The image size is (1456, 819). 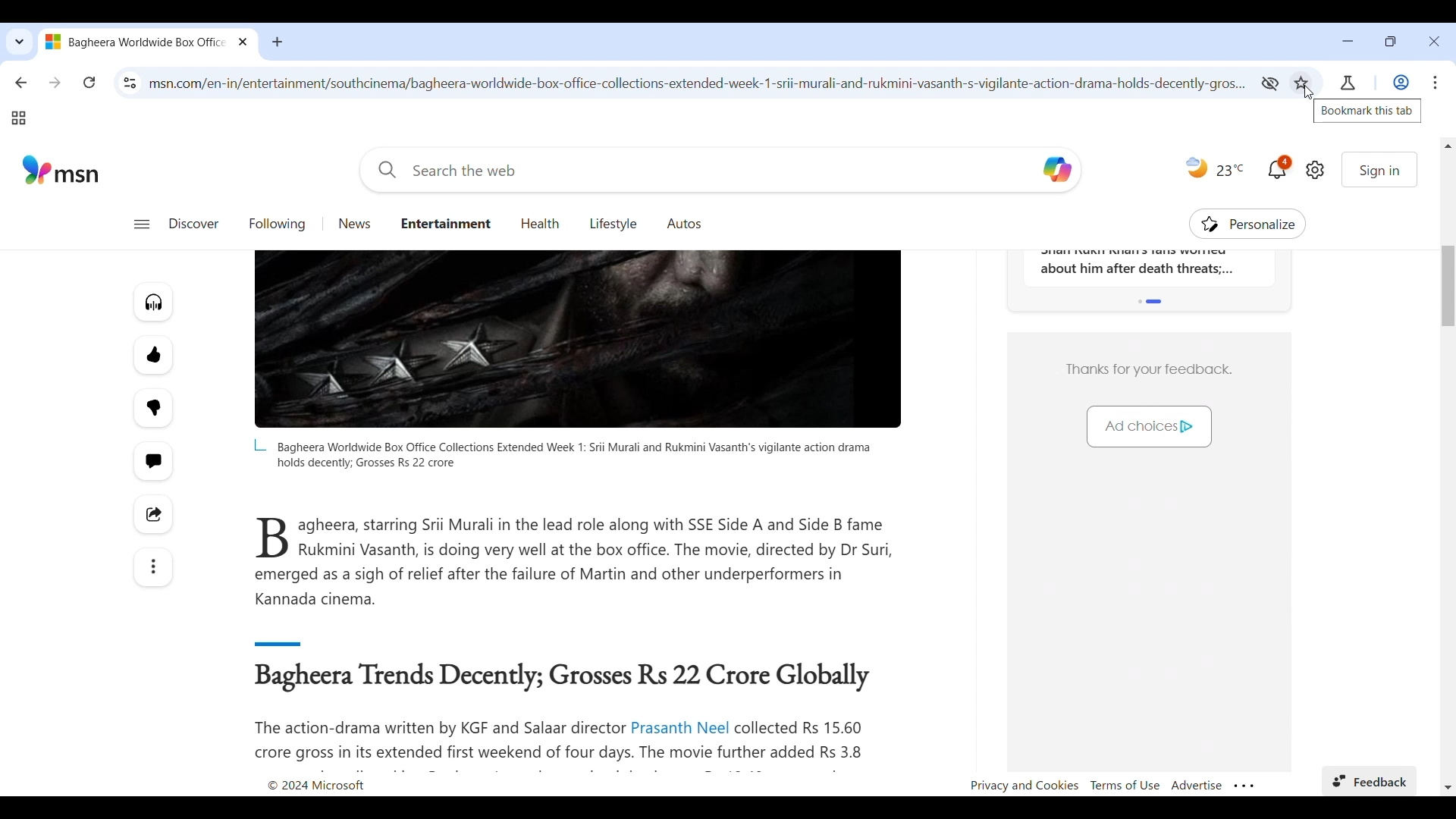 I want to click on Chrome labs, so click(x=1348, y=83).